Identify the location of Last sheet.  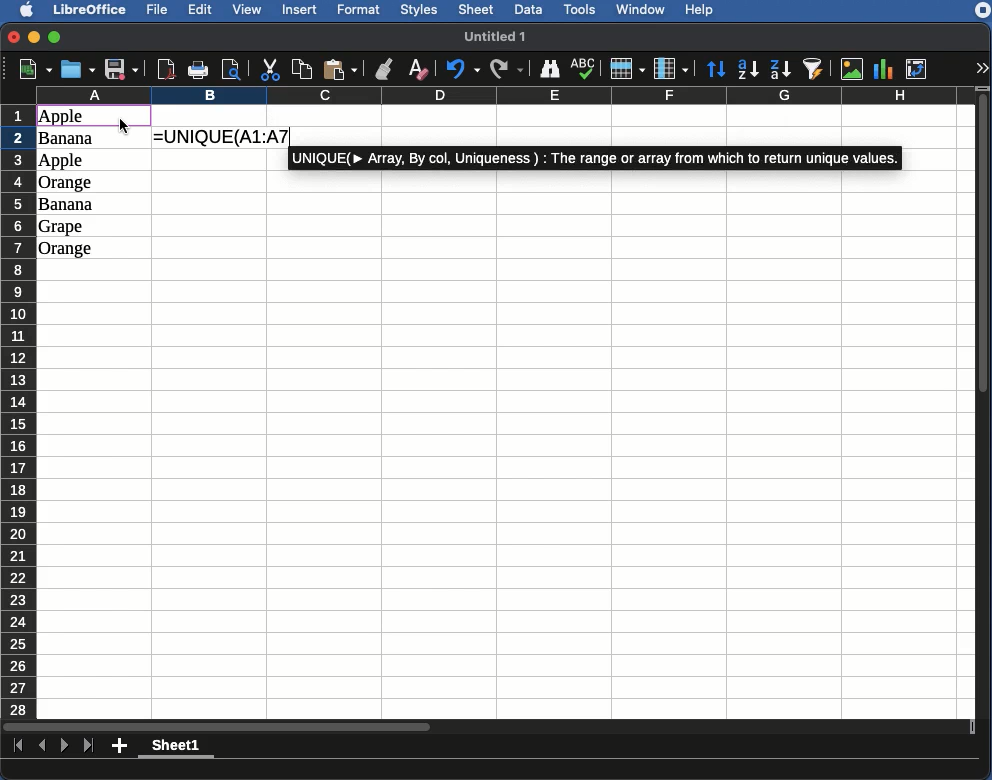
(90, 746).